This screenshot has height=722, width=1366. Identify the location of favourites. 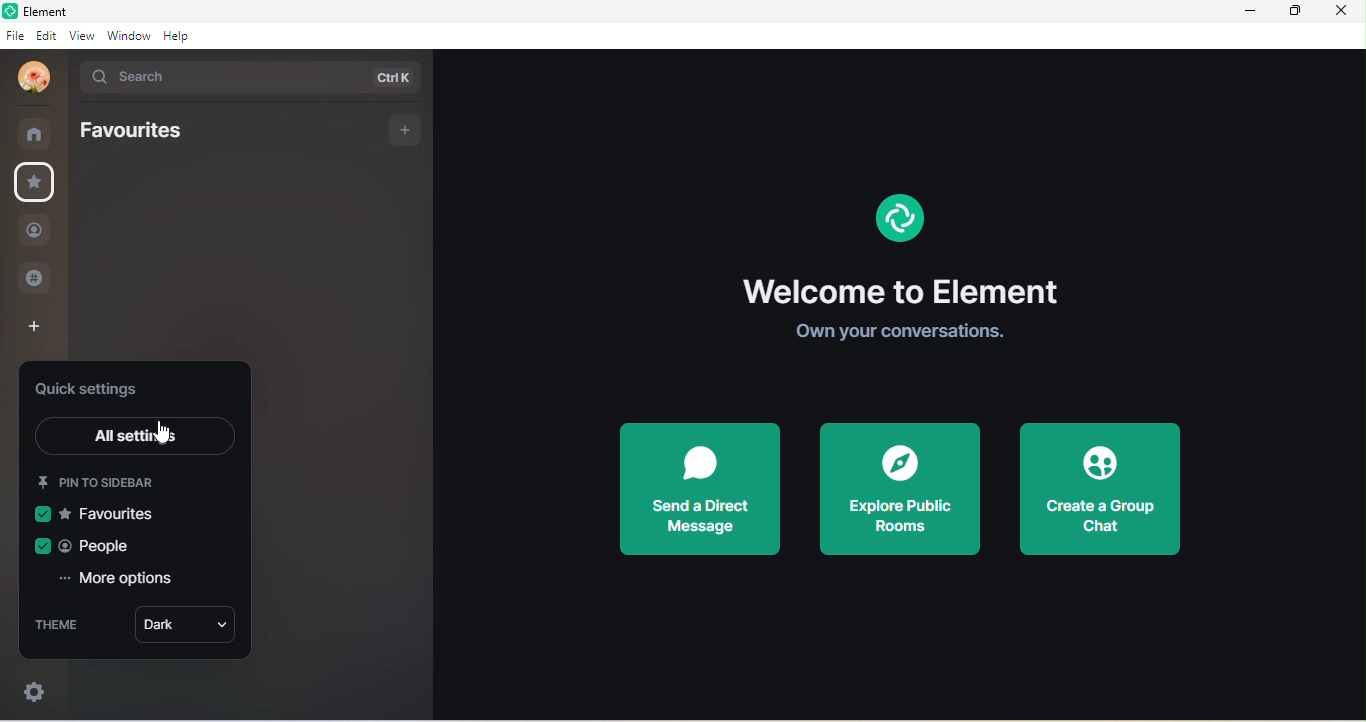
(139, 136).